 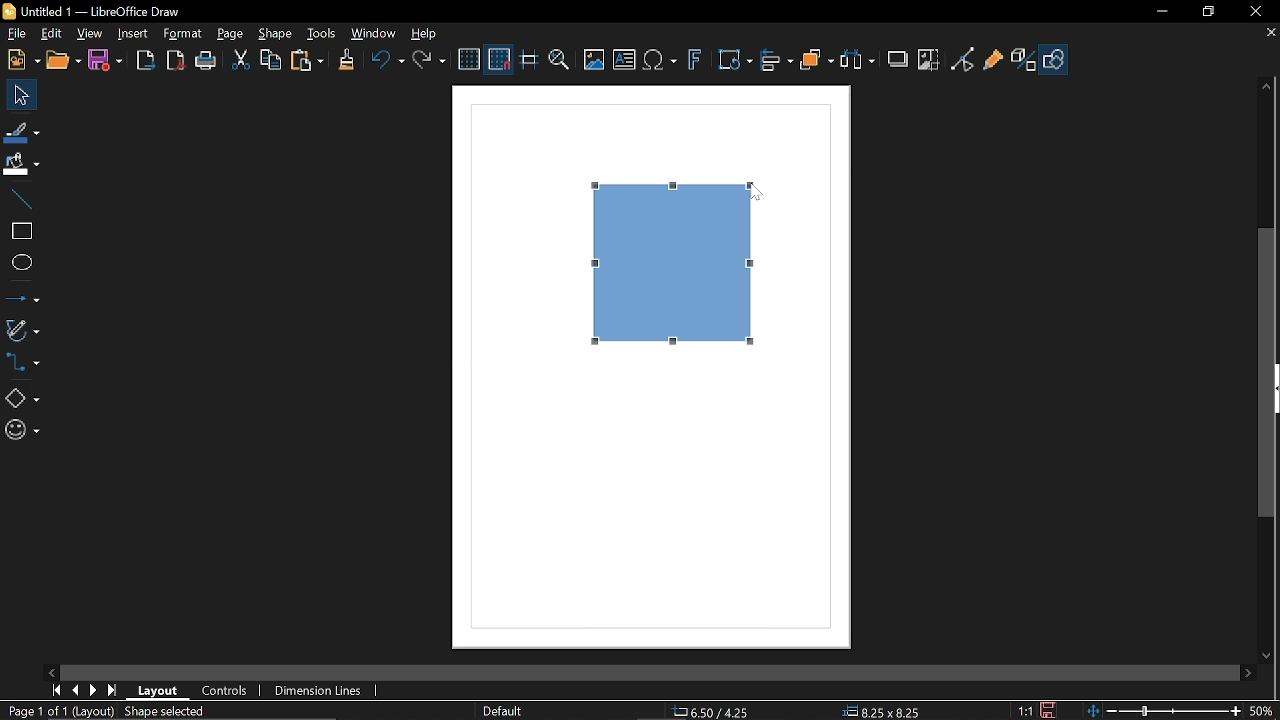 What do you see at coordinates (322, 33) in the screenshot?
I see `Tools` at bounding box center [322, 33].